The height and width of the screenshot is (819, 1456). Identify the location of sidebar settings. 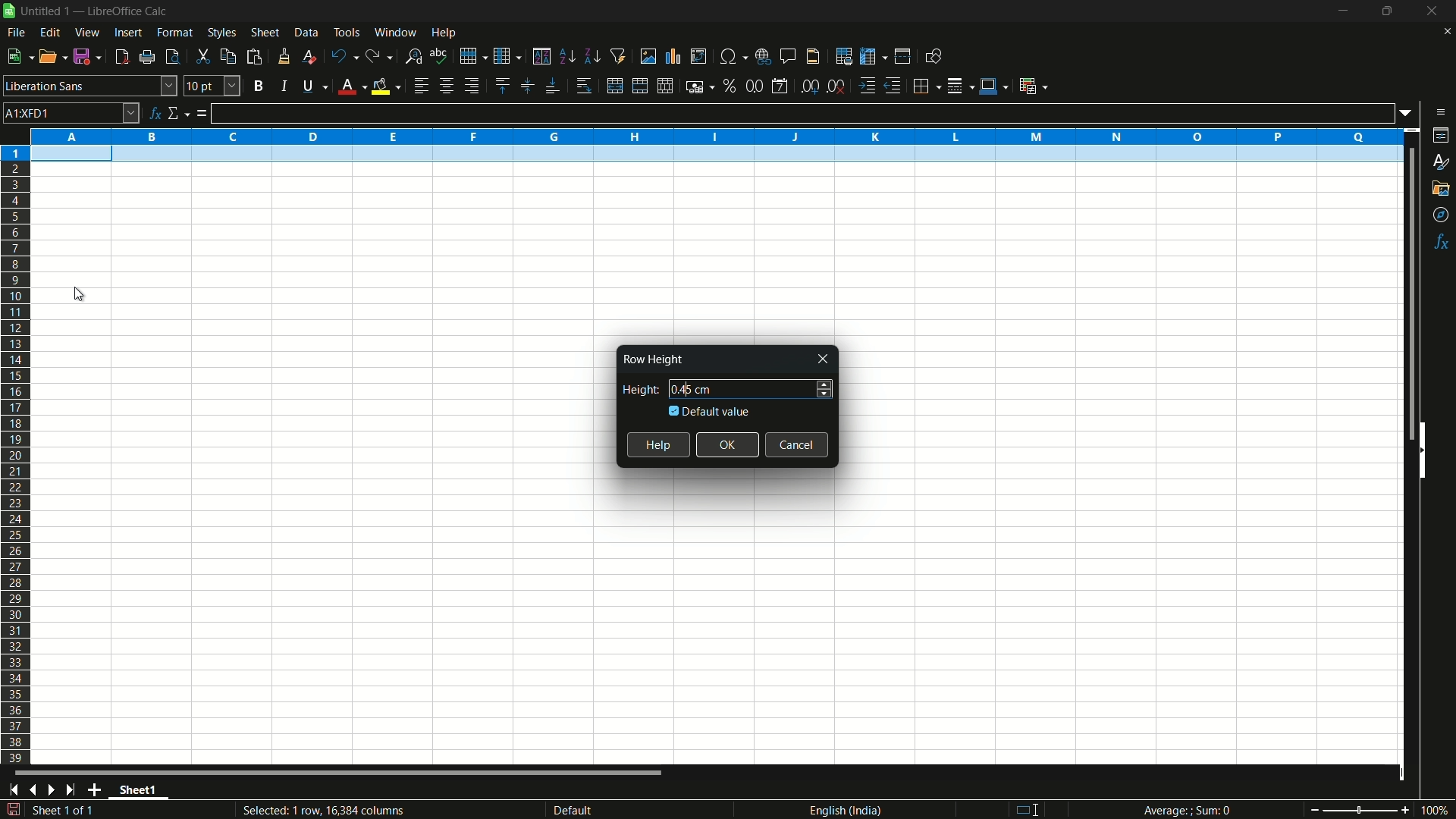
(1440, 112).